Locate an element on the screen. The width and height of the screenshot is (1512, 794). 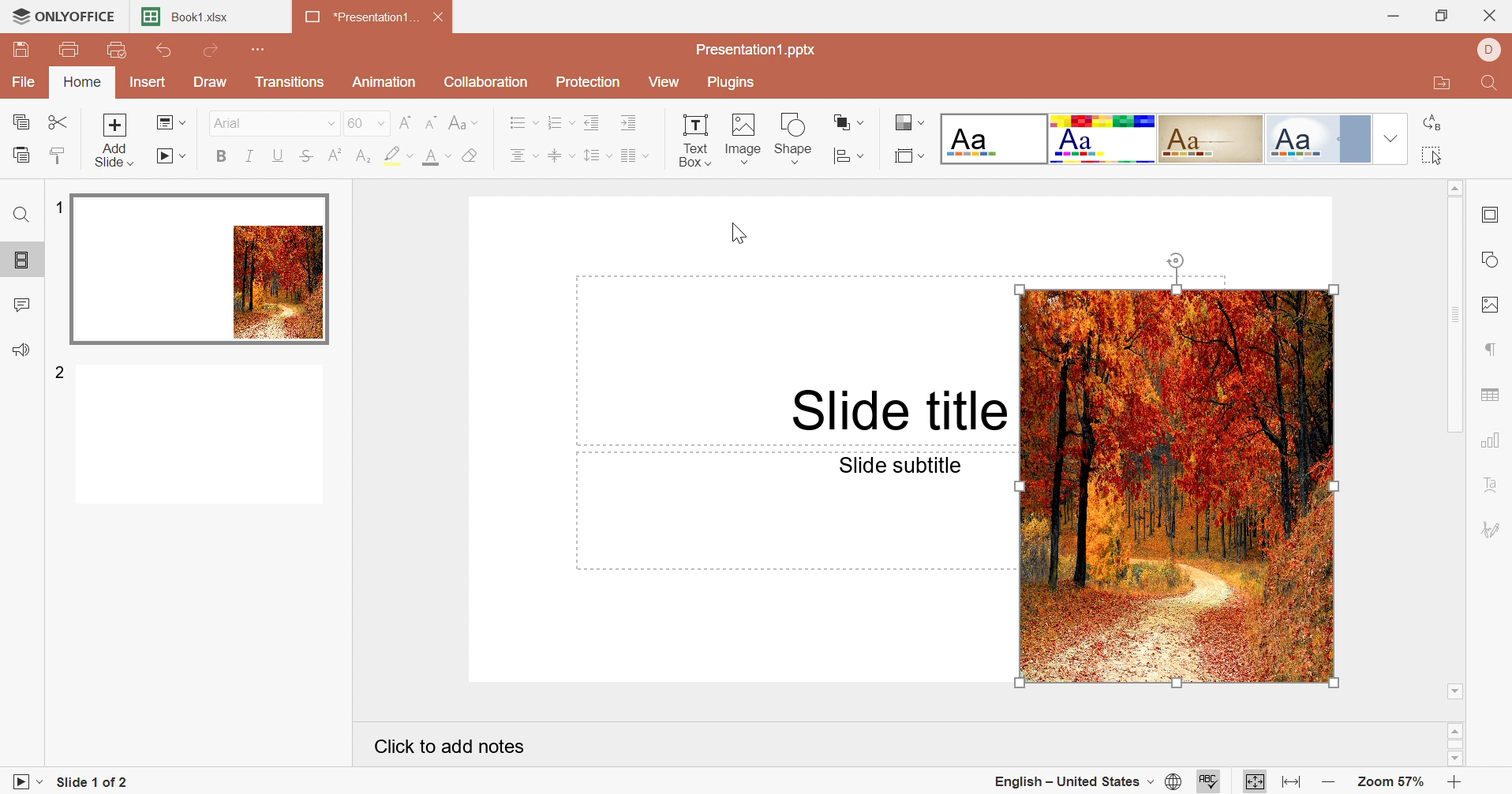
Protection is located at coordinates (592, 83).